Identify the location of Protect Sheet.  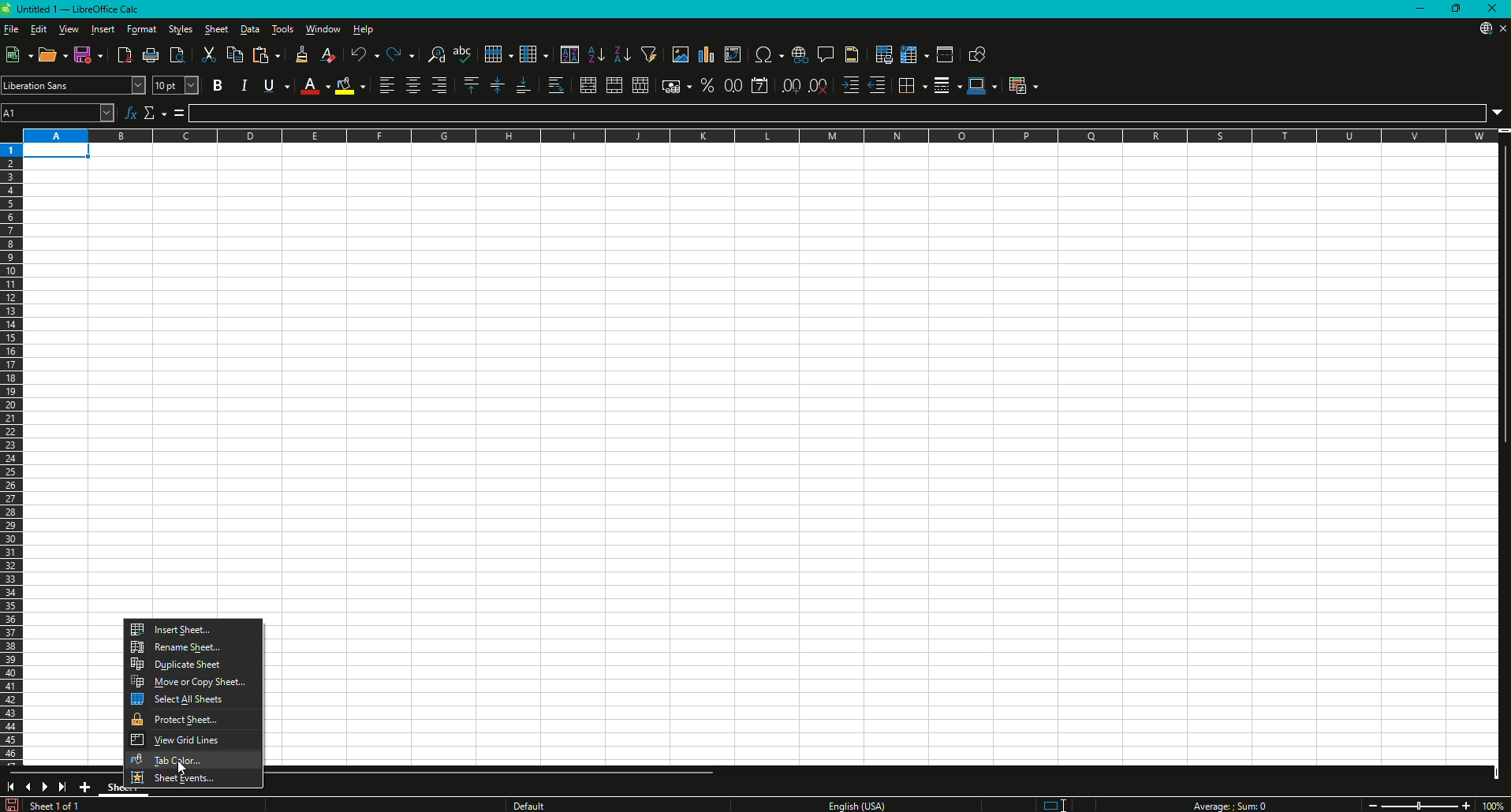
(194, 720).